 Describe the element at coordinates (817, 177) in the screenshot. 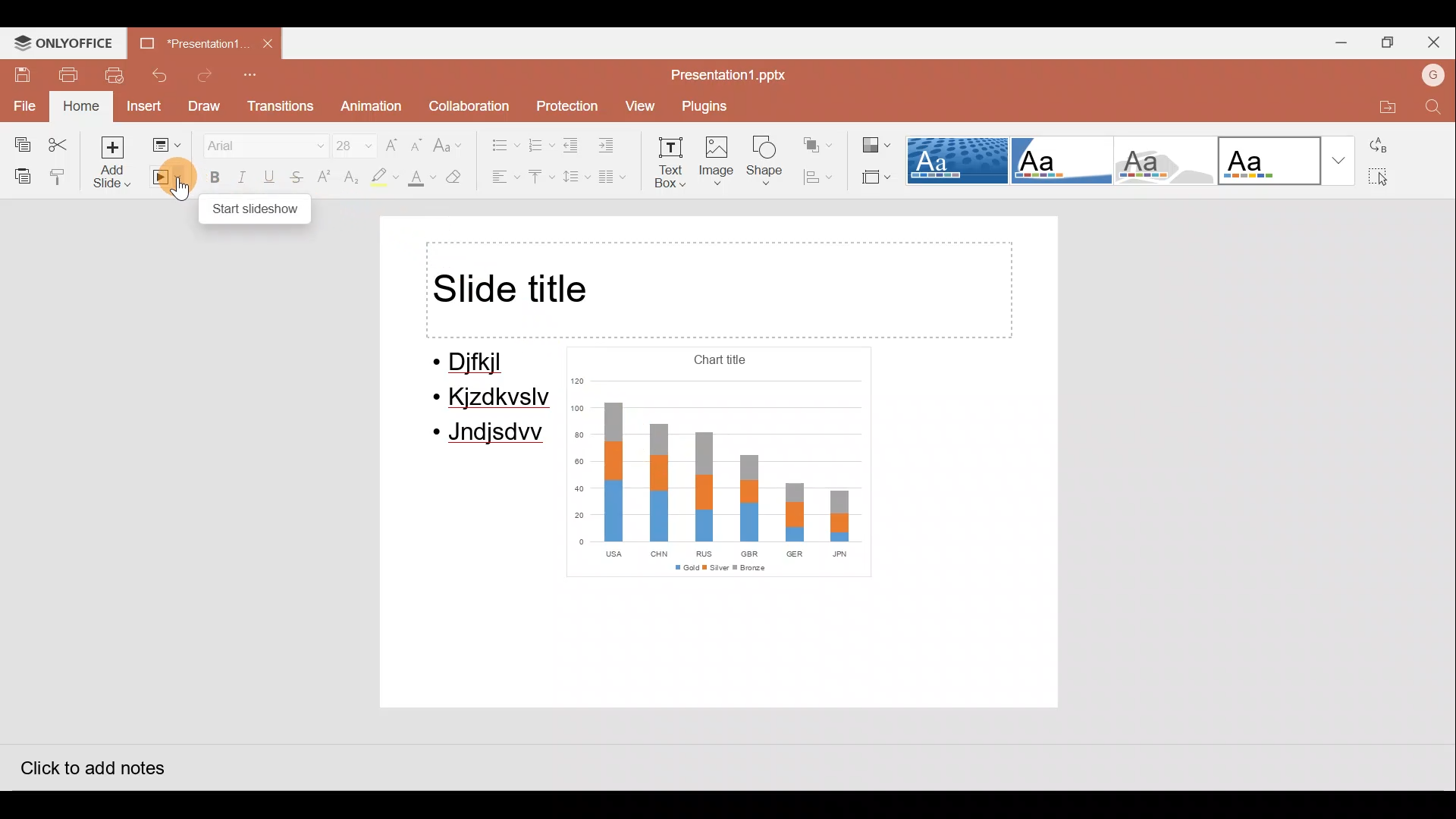

I see `Align shape` at that location.